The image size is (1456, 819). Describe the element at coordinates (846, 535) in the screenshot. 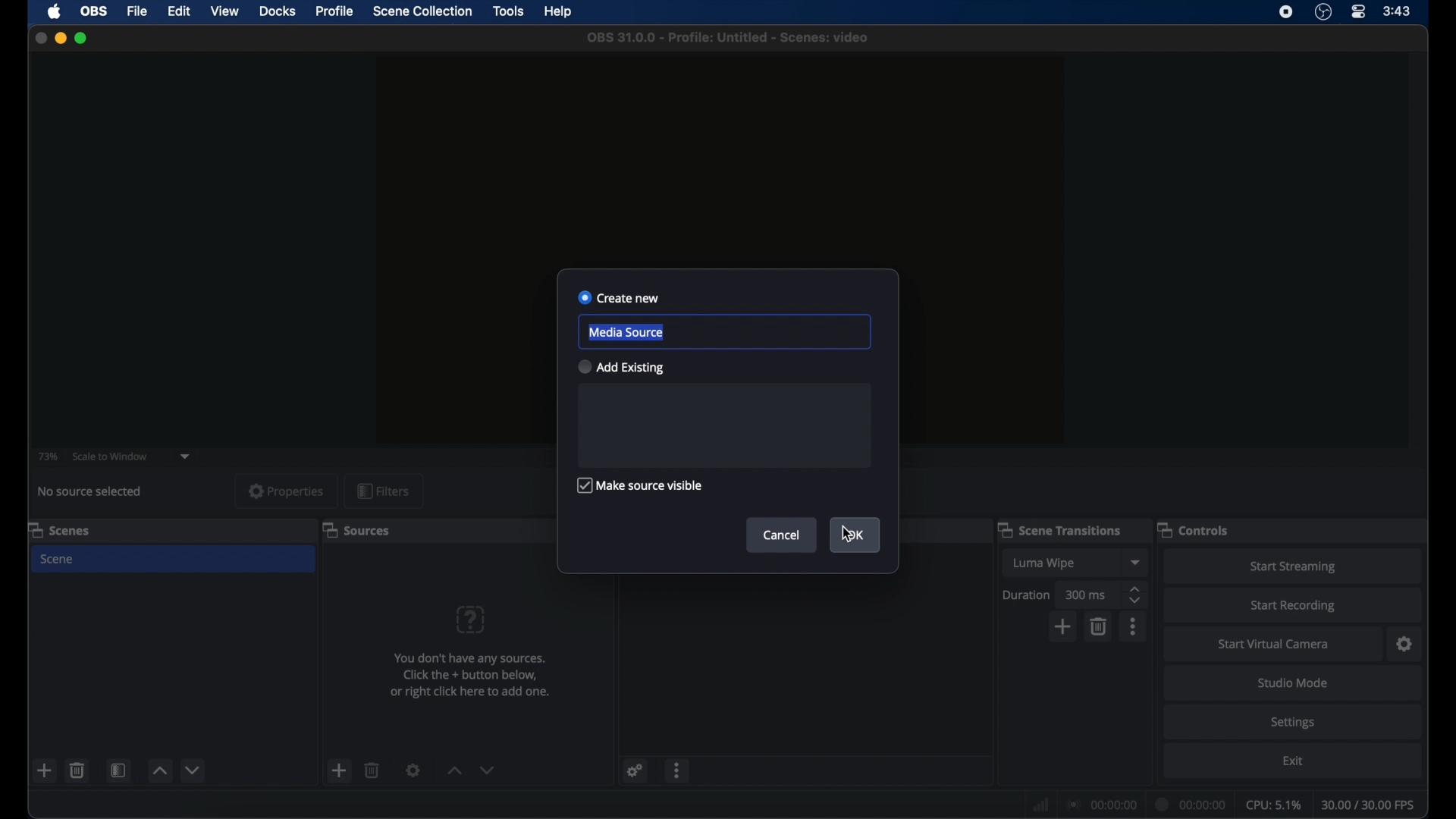

I see `cursor` at that location.